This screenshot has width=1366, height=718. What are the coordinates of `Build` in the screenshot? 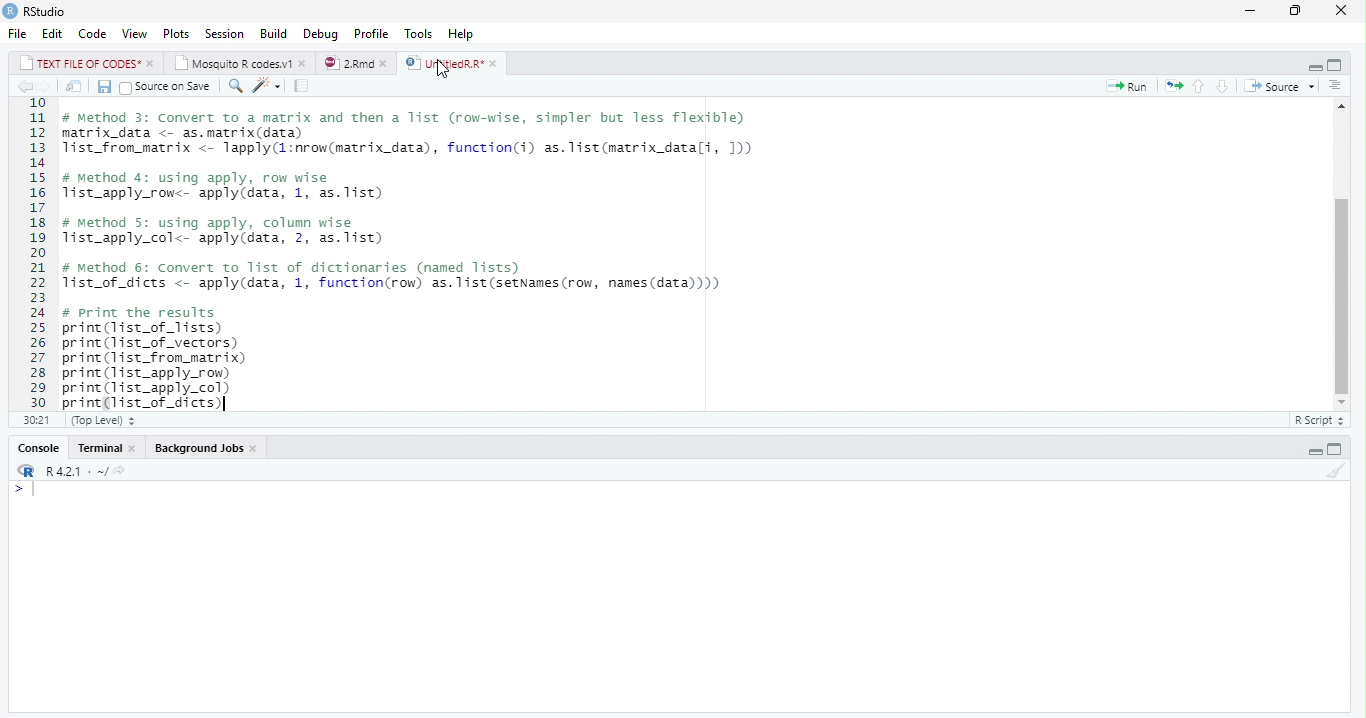 It's located at (272, 33).